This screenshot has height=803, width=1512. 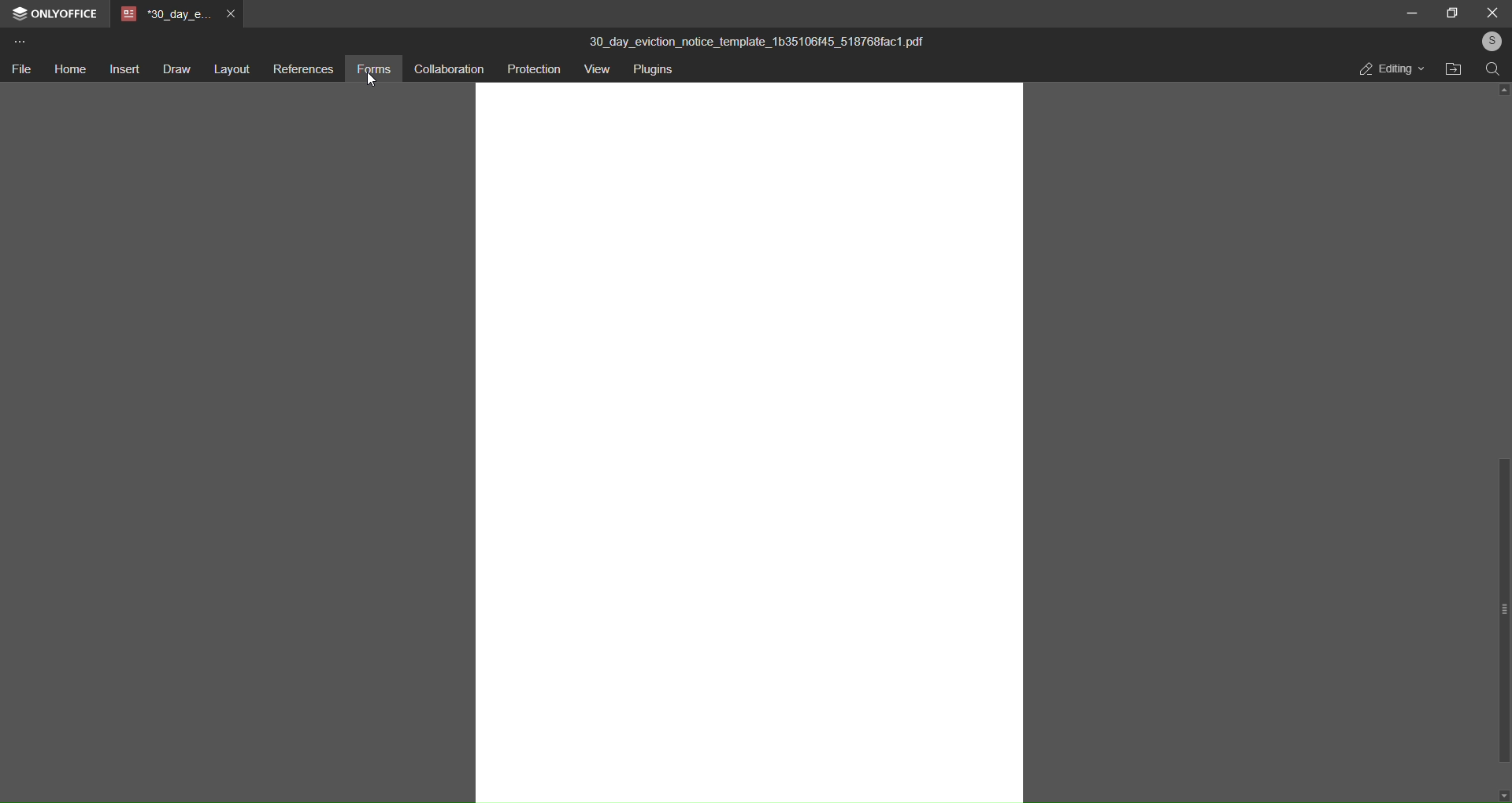 I want to click on forms, so click(x=372, y=68).